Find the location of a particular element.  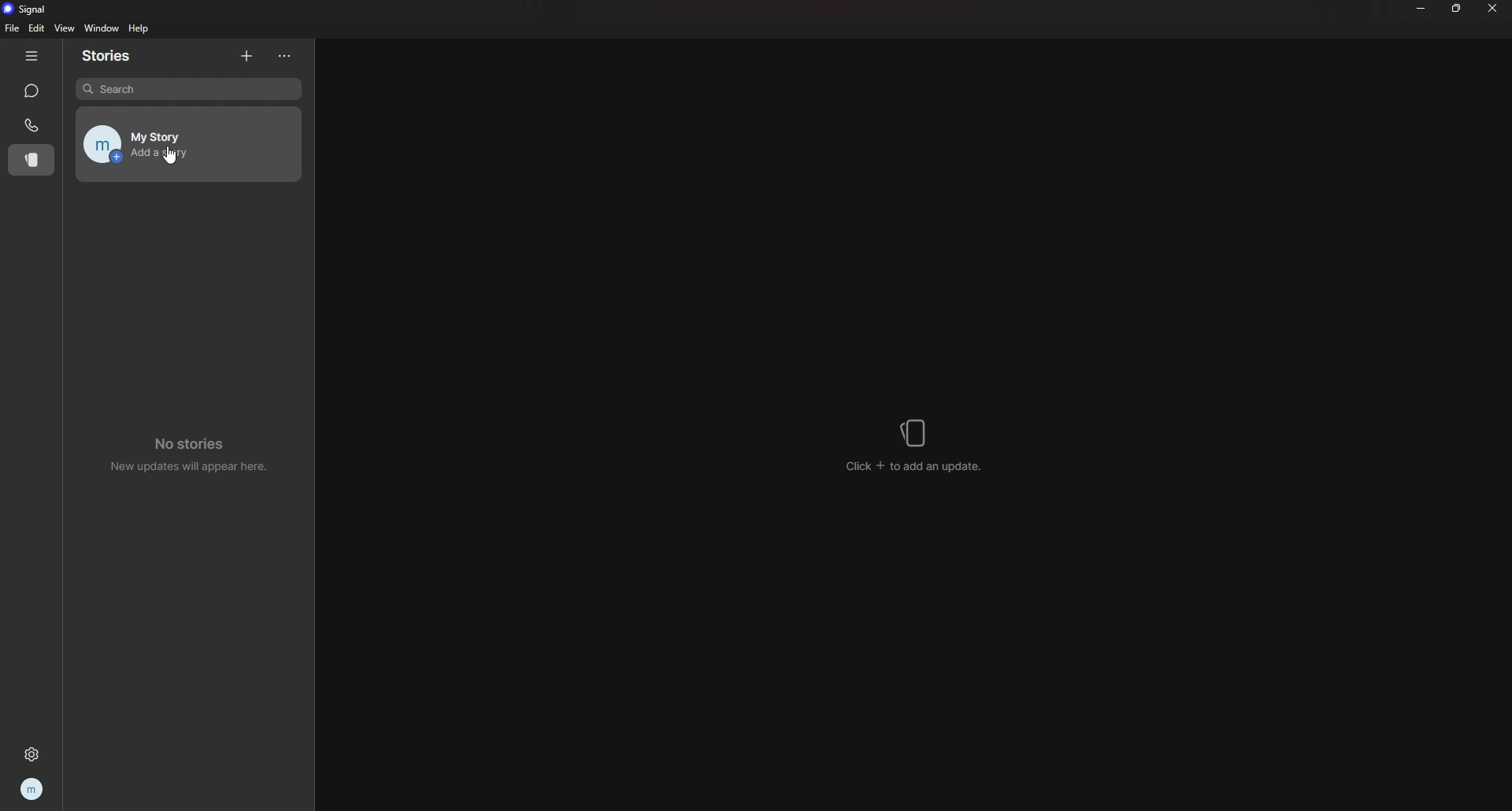

search is located at coordinates (190, 89).